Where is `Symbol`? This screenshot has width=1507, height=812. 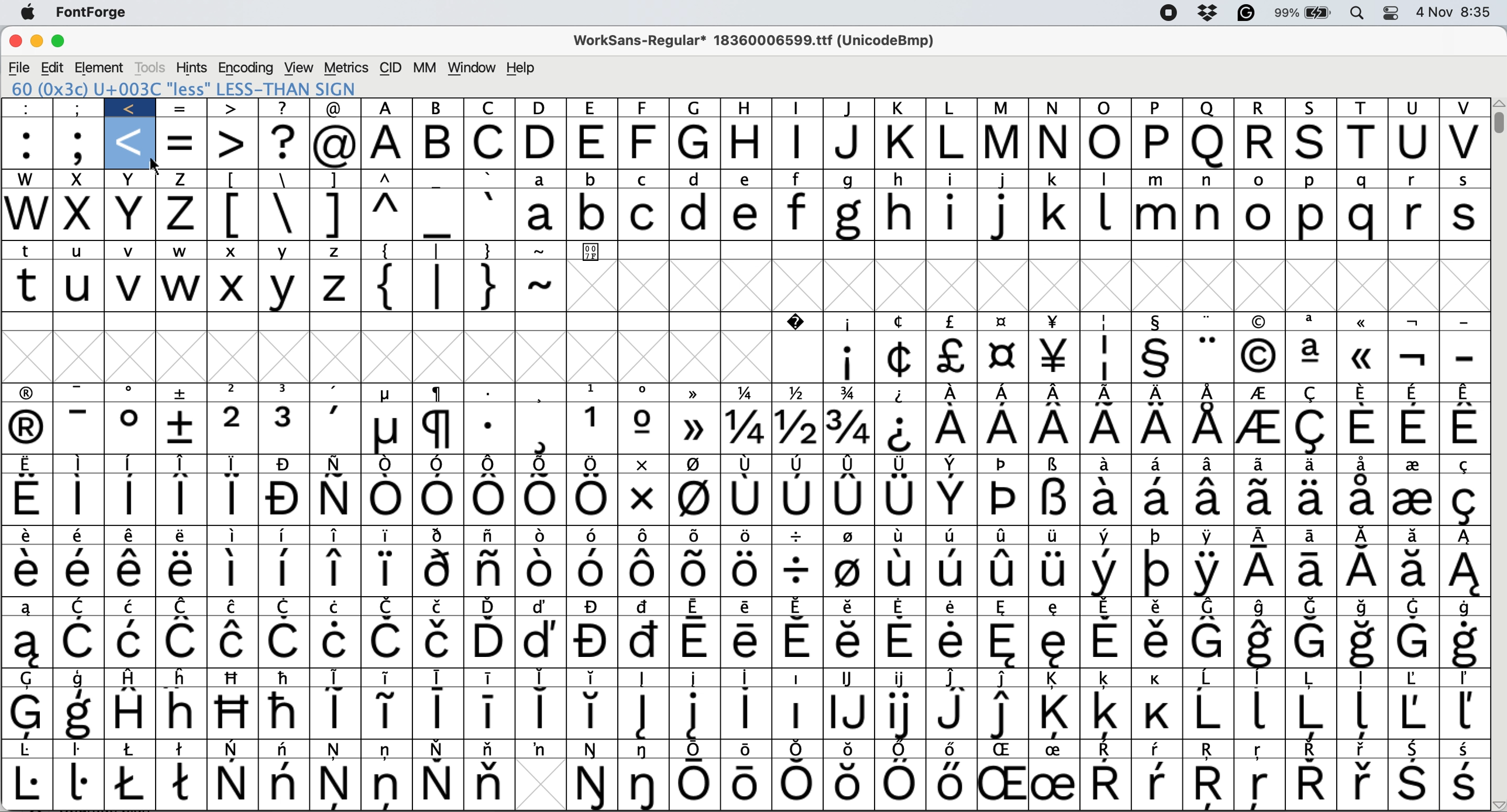
Symbol is located at coordinates (1464, 429).